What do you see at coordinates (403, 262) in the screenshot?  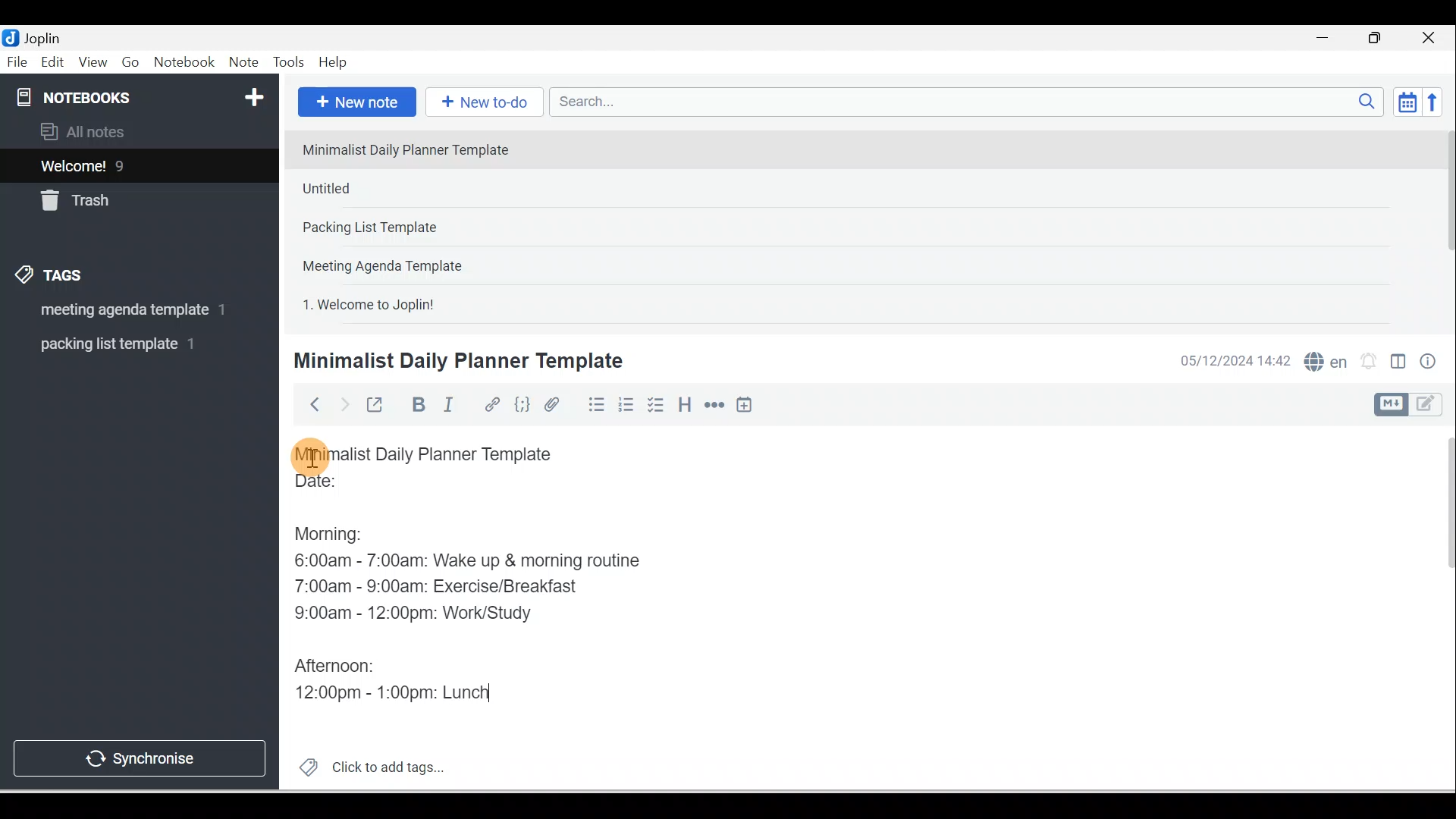 I see `Note 4` at bounding box center [403, 262].